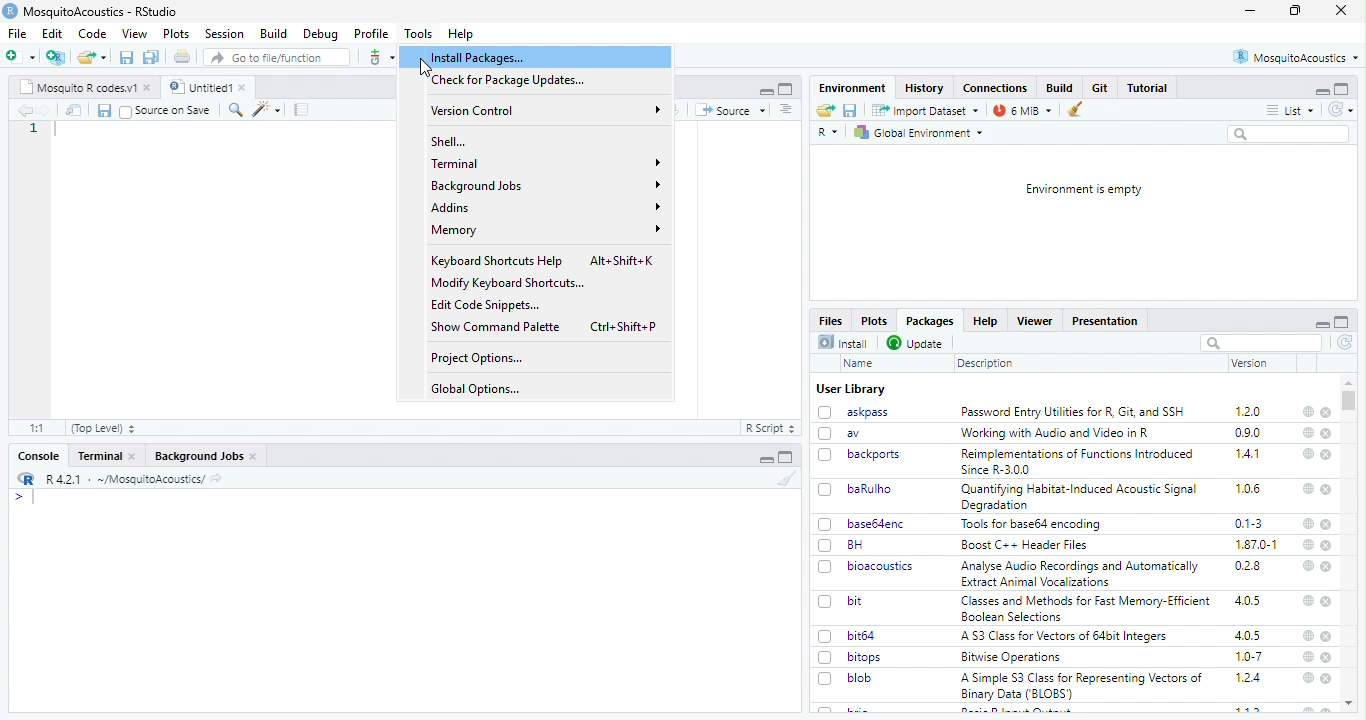 The image size is (1366, 720). Describe the element at coordinates (254, 457) in the screenshot. I see `close` at that location.